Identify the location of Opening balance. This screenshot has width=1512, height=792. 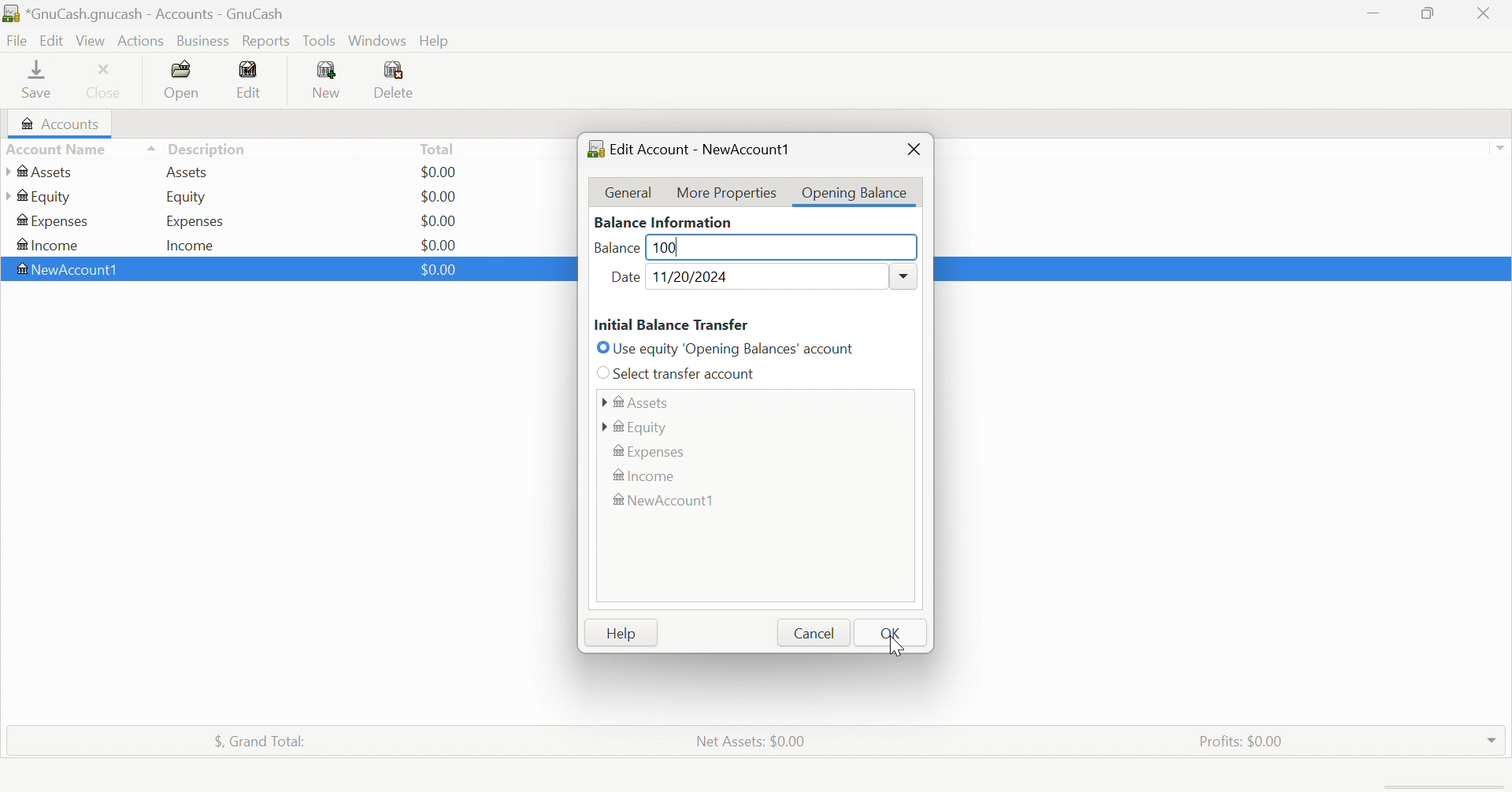
(854, 193).